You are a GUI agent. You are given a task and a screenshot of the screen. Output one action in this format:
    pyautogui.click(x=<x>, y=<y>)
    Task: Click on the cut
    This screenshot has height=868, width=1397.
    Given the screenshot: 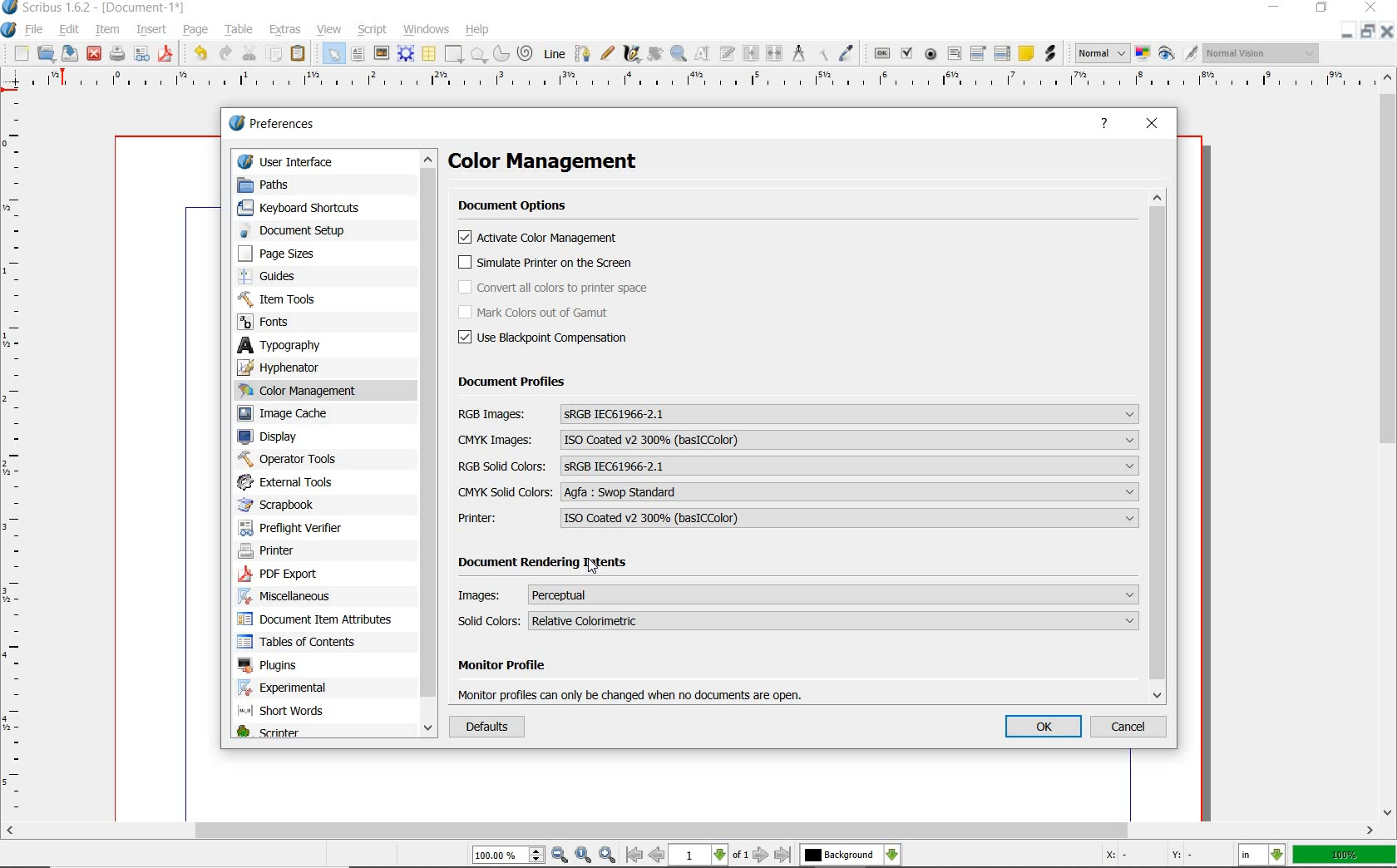 What is the action you would take?
    pyautogui.click(x=249, y=52)
    